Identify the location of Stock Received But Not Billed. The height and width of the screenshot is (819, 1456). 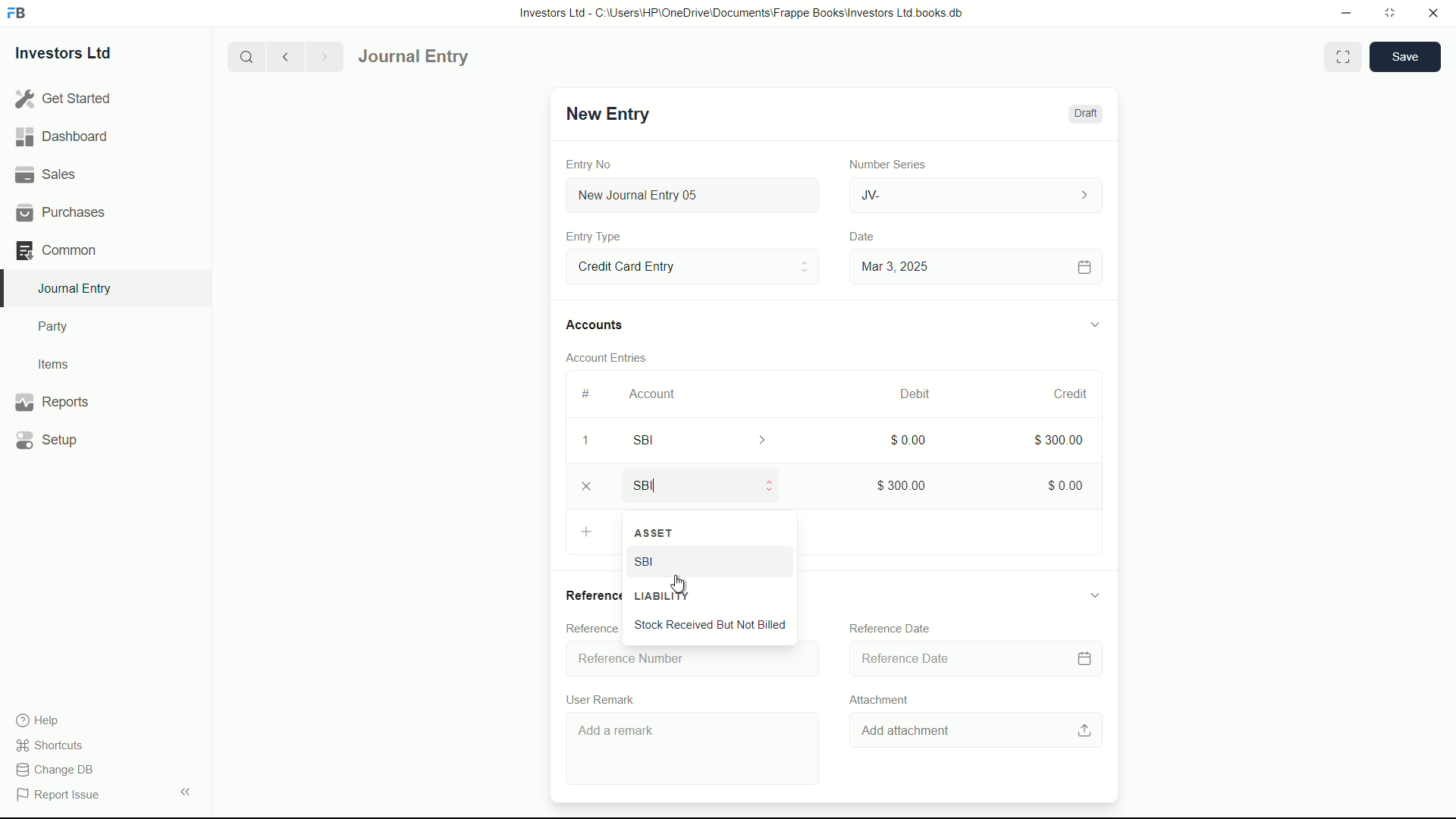
(708, 627).